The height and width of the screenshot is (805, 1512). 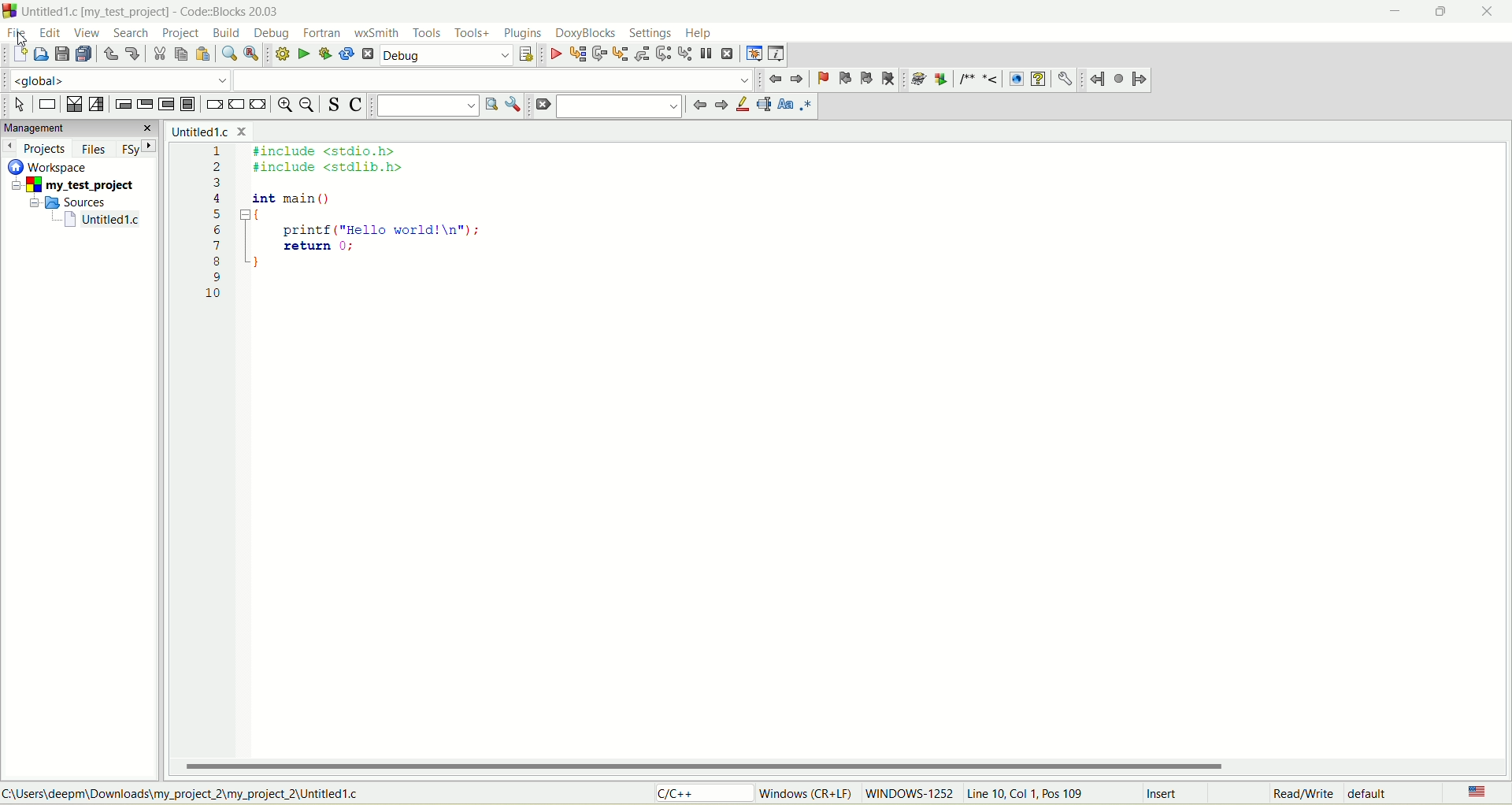 What do you see at coordinates (79, 127) in the screenshot?
I see `management` at bounding box center [79, 127].